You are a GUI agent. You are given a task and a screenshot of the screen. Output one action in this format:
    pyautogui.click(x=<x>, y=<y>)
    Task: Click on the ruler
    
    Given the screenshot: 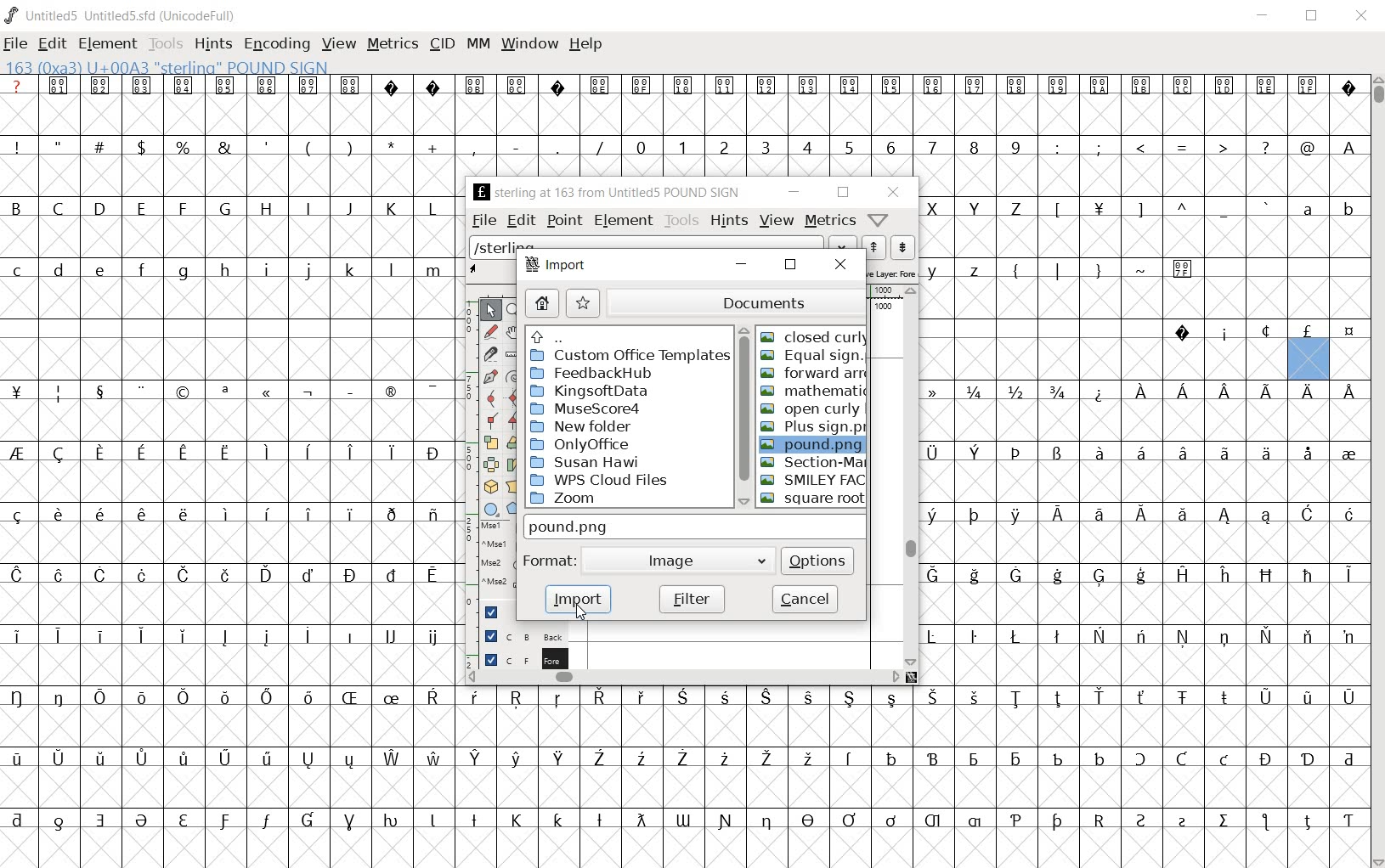 What is the action you would take?
    pyautogui.click(x=513, y=355)
    